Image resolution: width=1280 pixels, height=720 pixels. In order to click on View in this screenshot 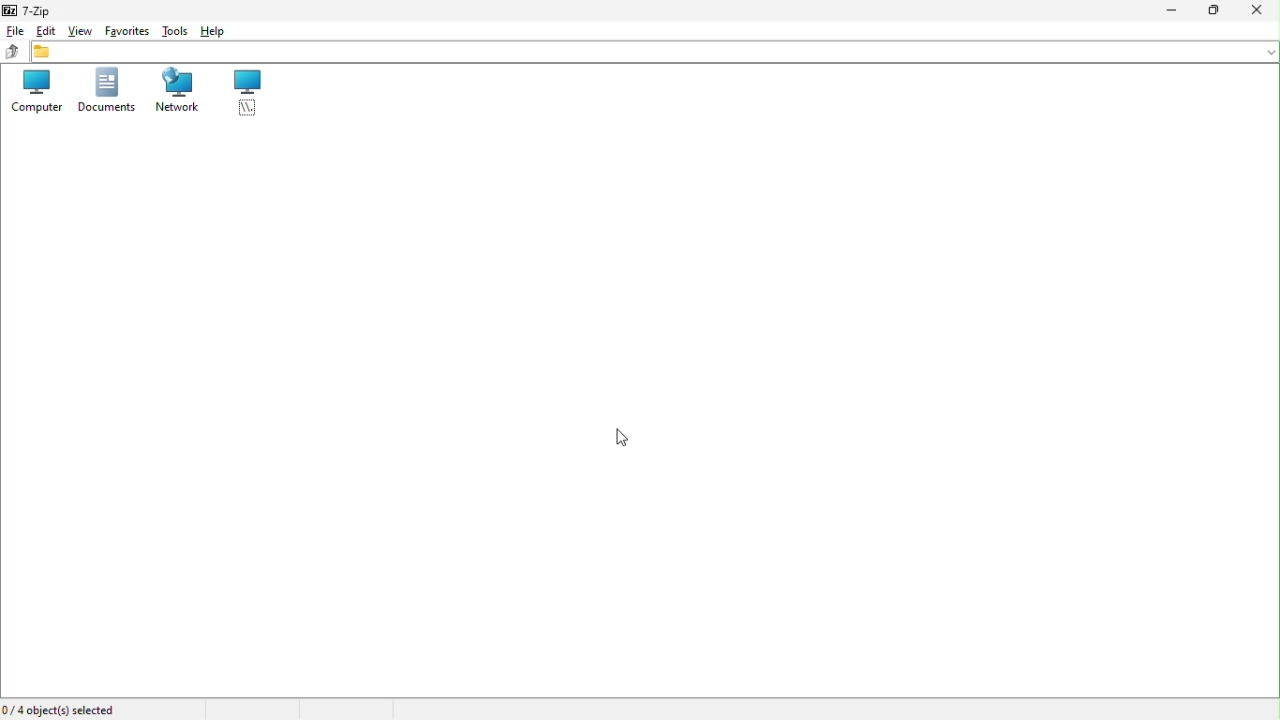, I will do `click(81, 29)`.